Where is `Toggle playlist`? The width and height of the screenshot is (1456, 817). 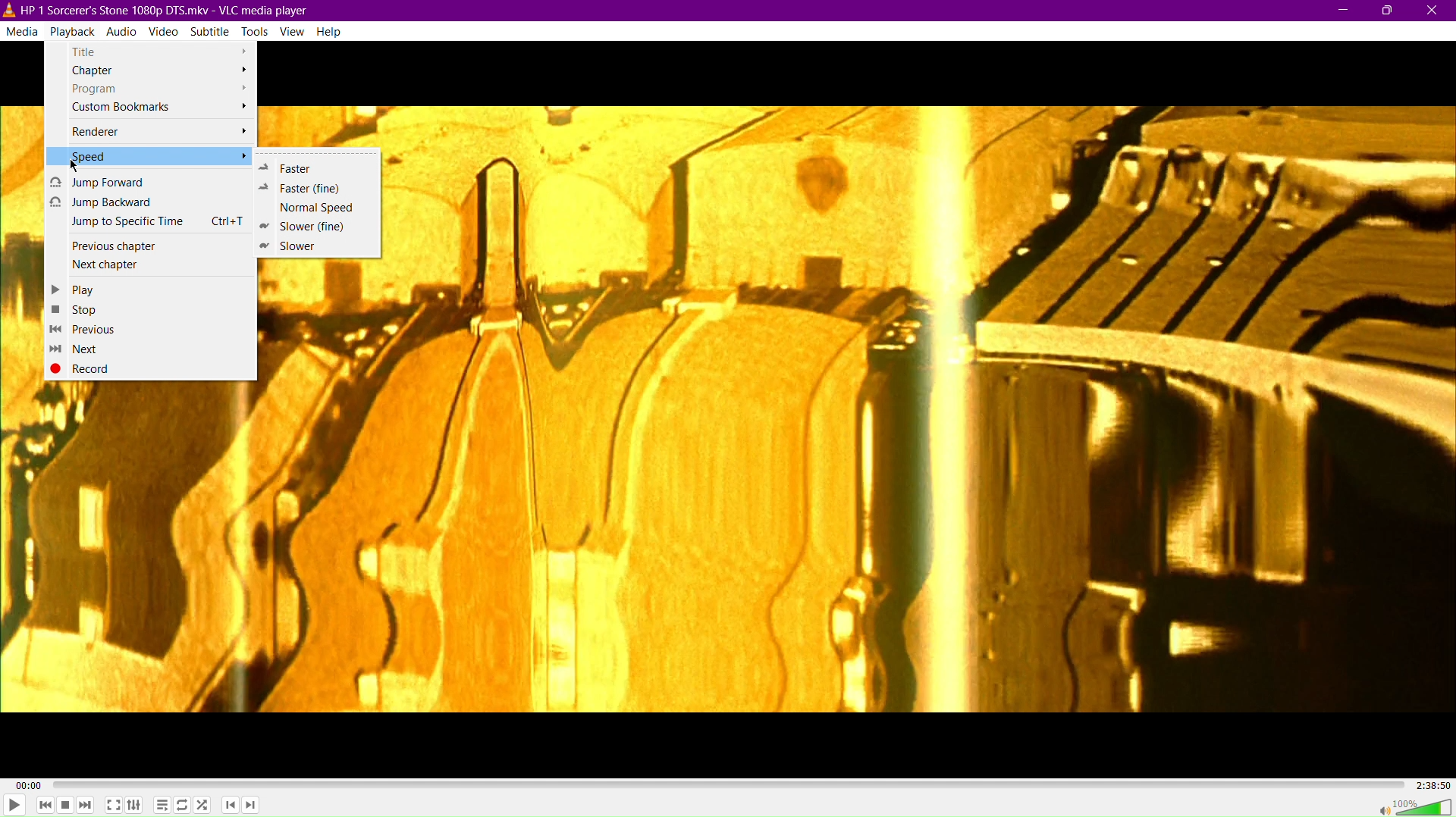 Toggle playlist is located at coordinates (160, 804).